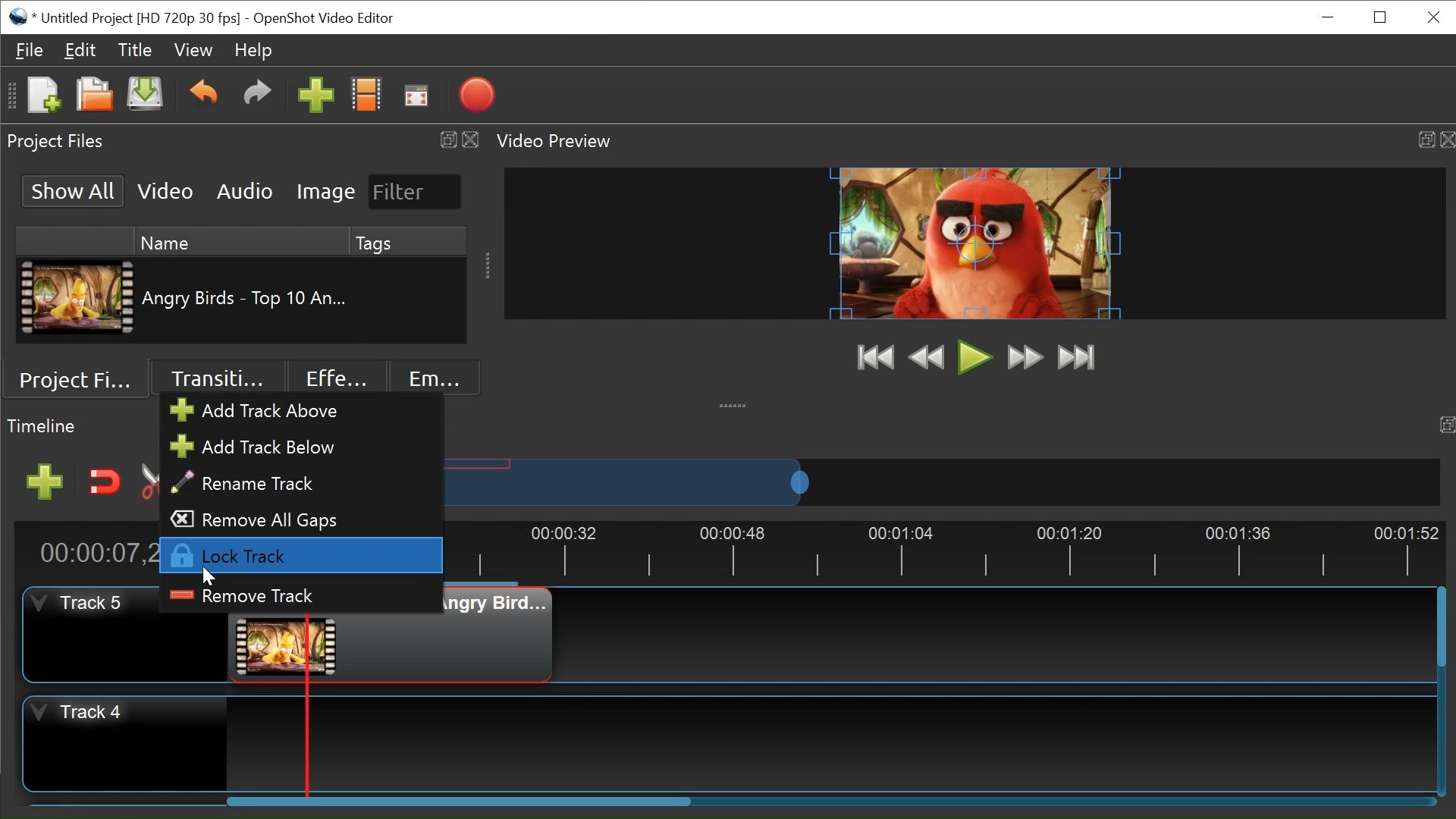  I want to click on Horizontal Scroll bar, so click(458, 800).